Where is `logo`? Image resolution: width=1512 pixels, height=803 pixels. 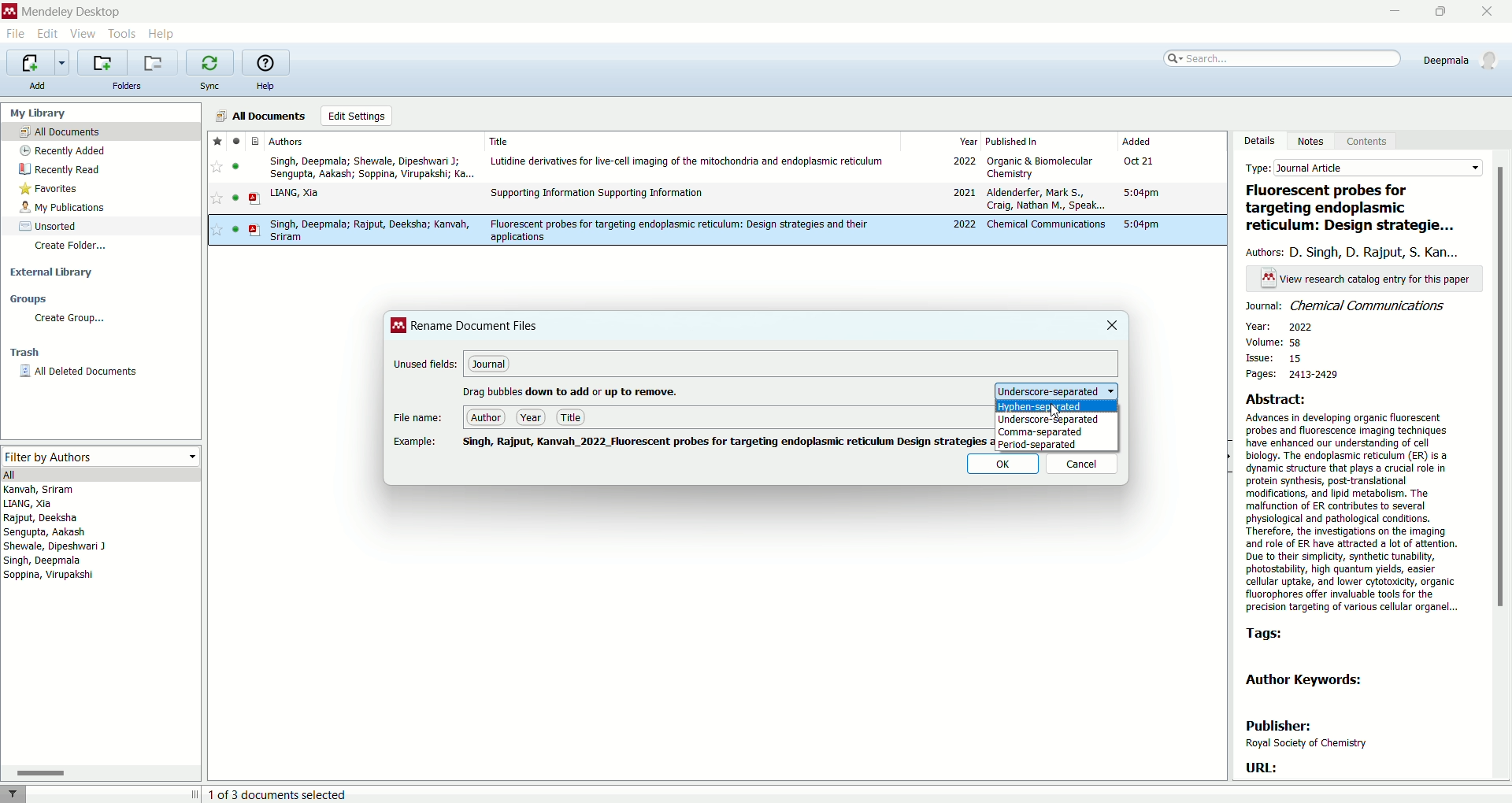
logo is located at coordinates (399, 325).